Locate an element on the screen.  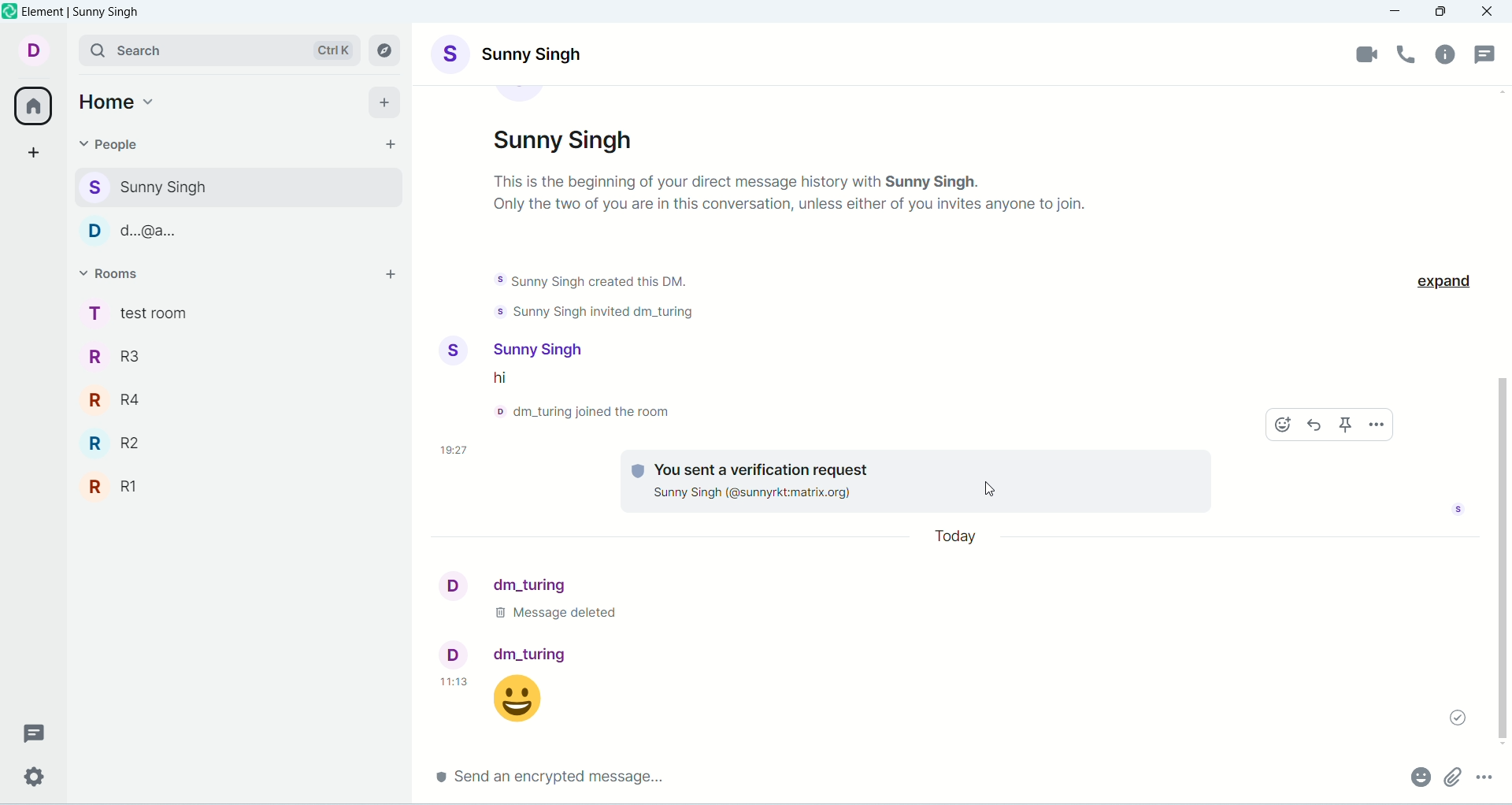
time is located at coordinates (456, 447).